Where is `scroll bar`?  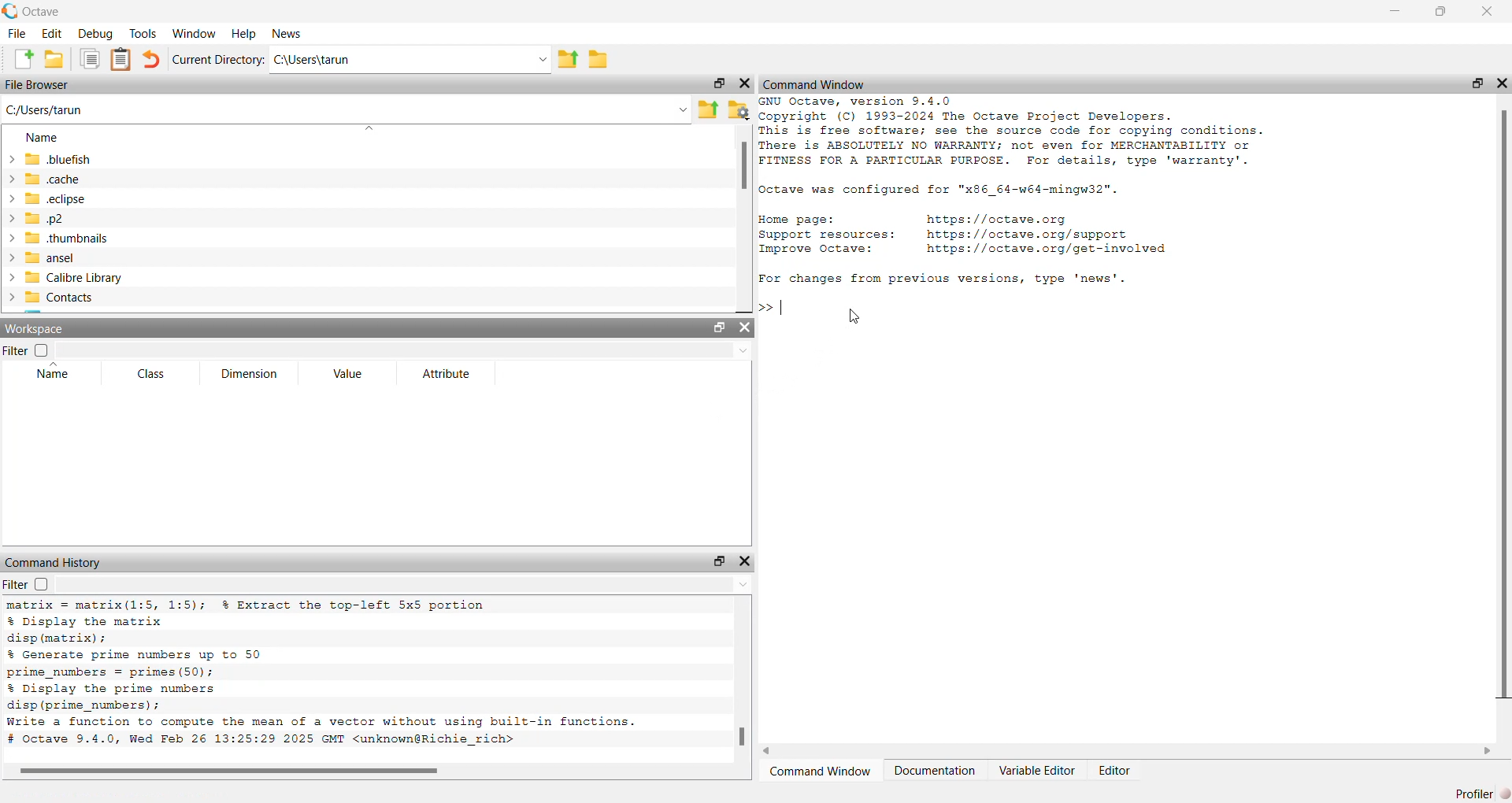 scroll bar is located at coordinates (744, 166).